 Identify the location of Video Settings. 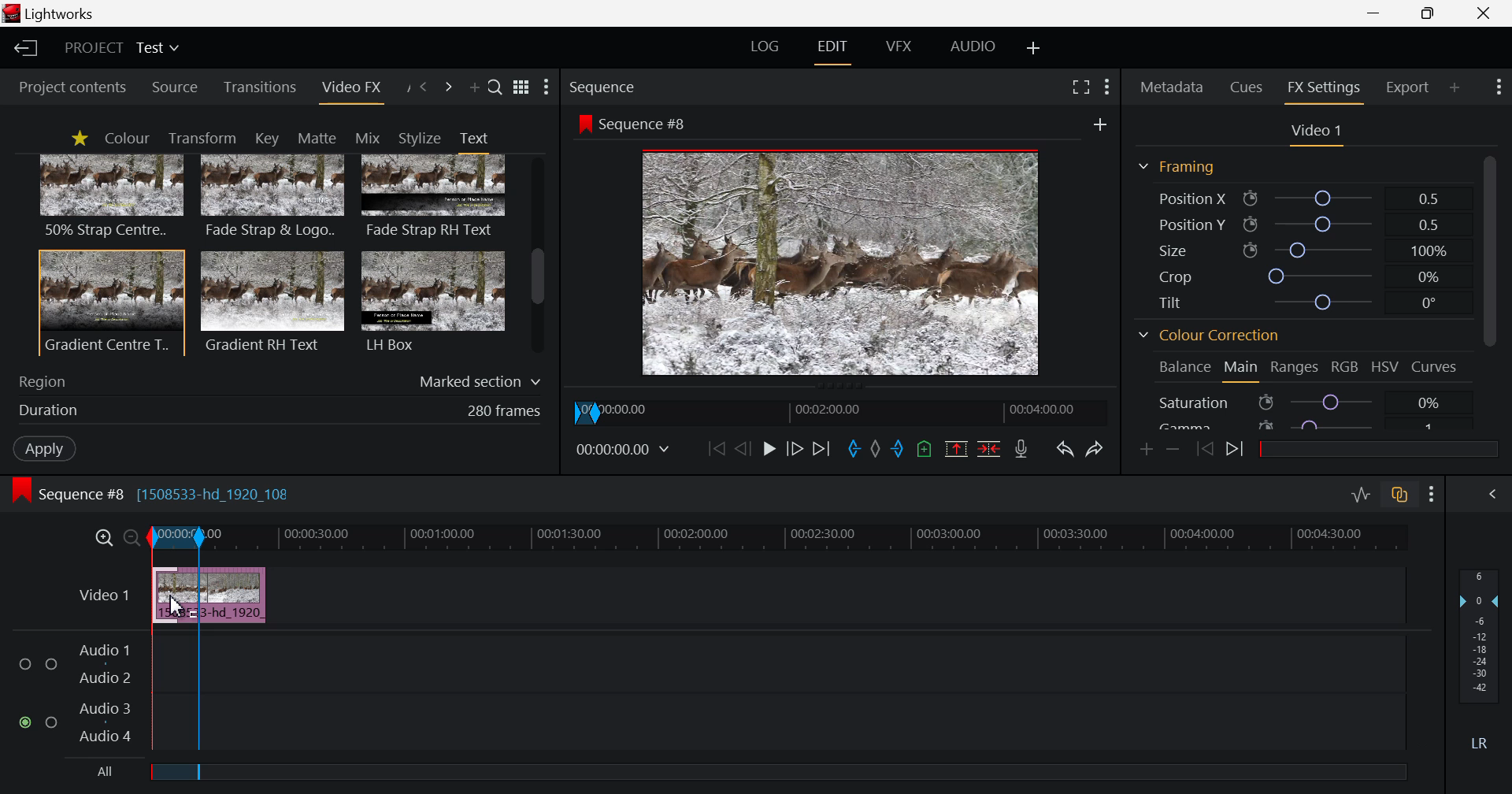
(1317, 132).